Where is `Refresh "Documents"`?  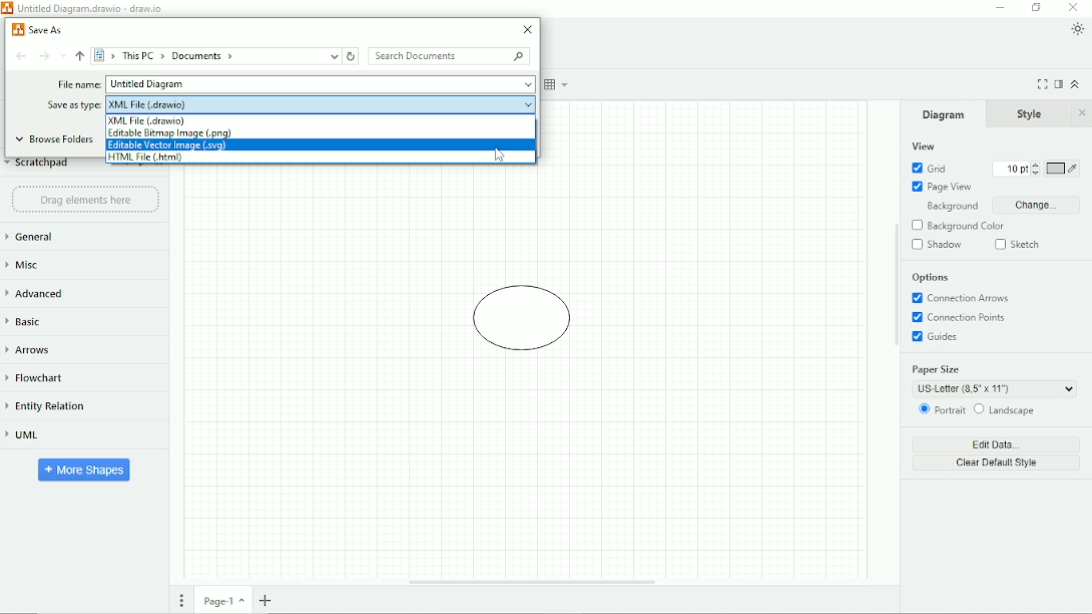 Refresh "Documents" is located at coordinates (352, 56).